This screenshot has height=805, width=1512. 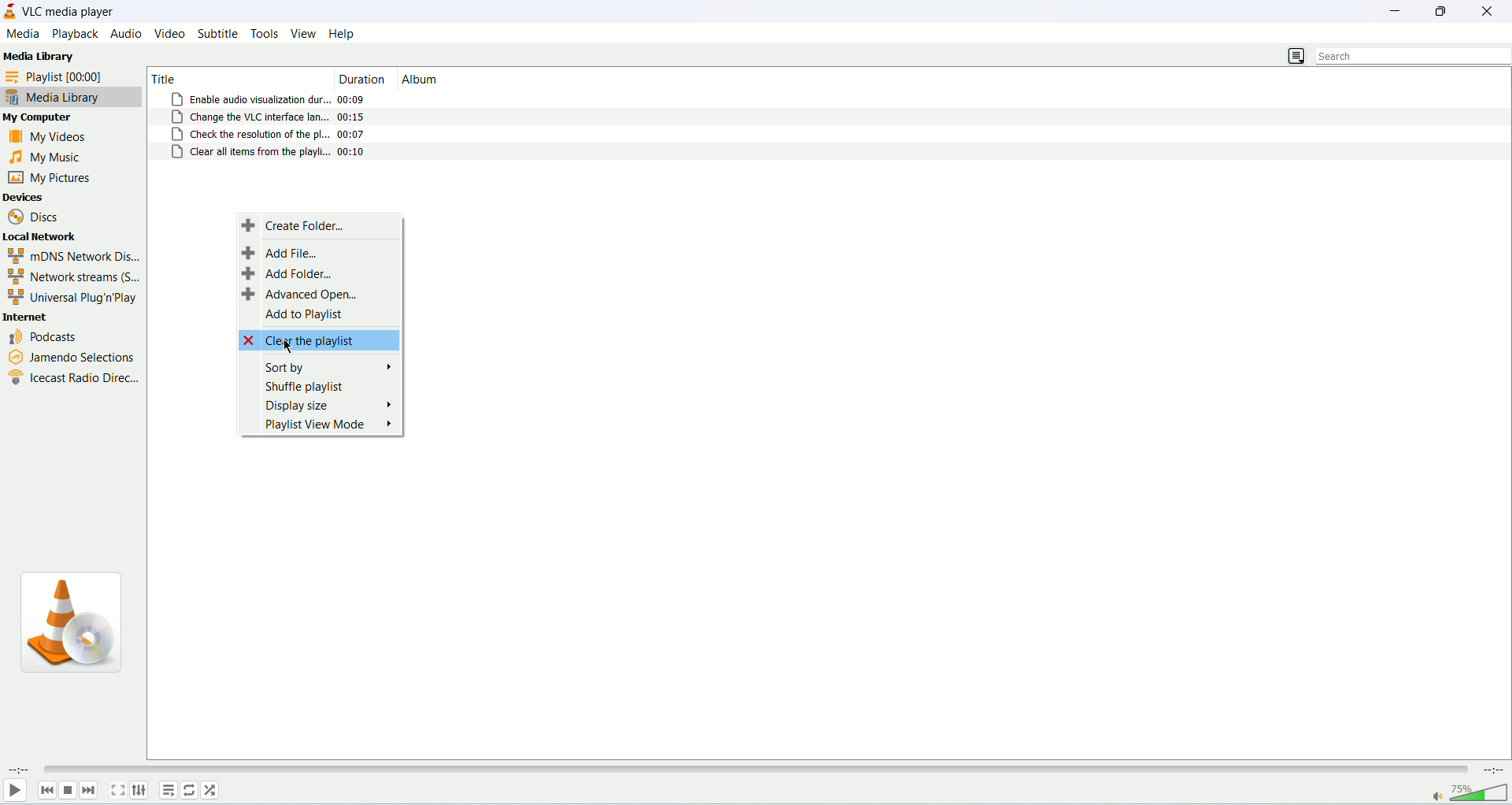 What do you see at coordinates (297, 224) in the screenshot?
I see `create folder` at bounding box center [297, 224].